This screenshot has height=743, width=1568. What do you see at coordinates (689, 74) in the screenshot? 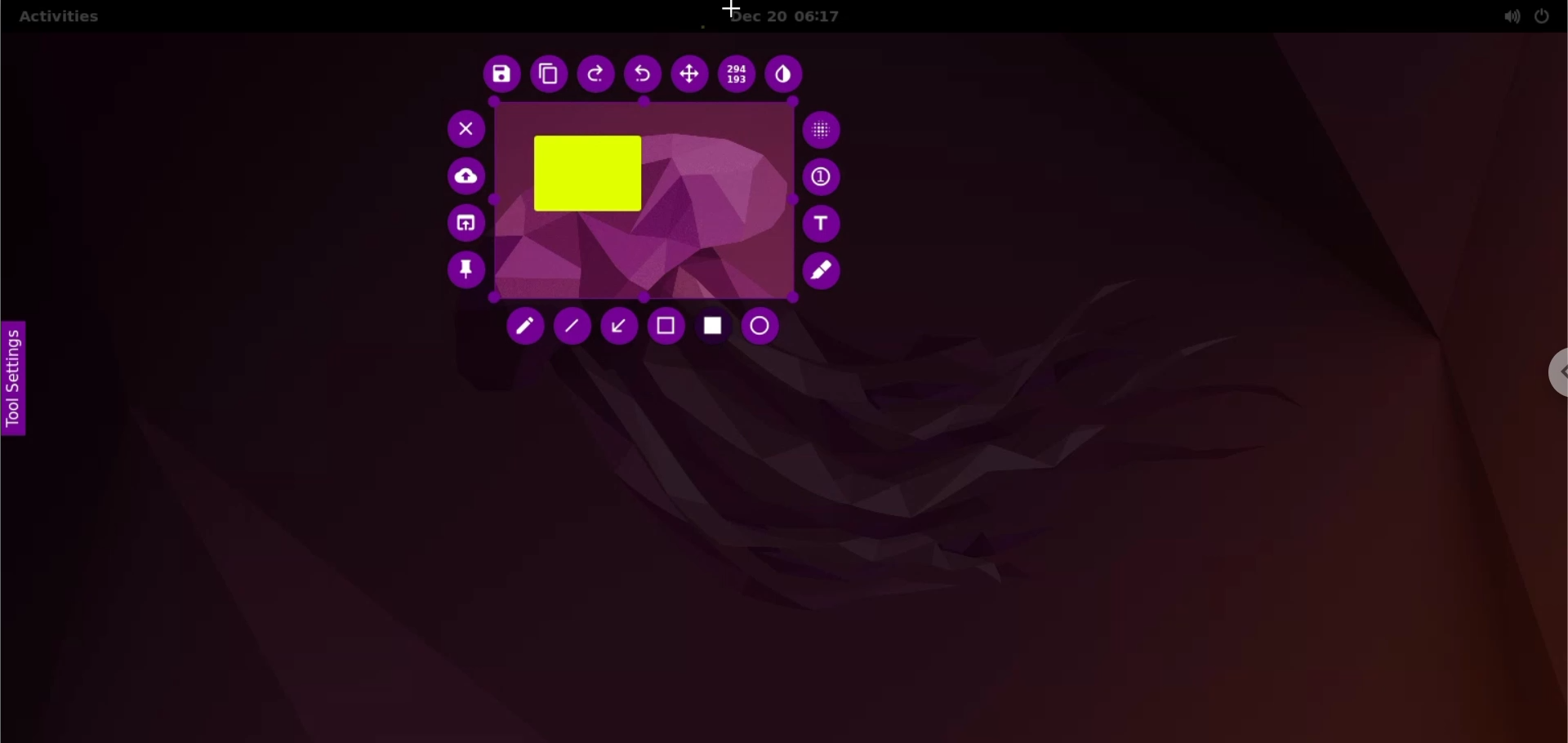
I see `move selection` at bounding box center [689, 74].